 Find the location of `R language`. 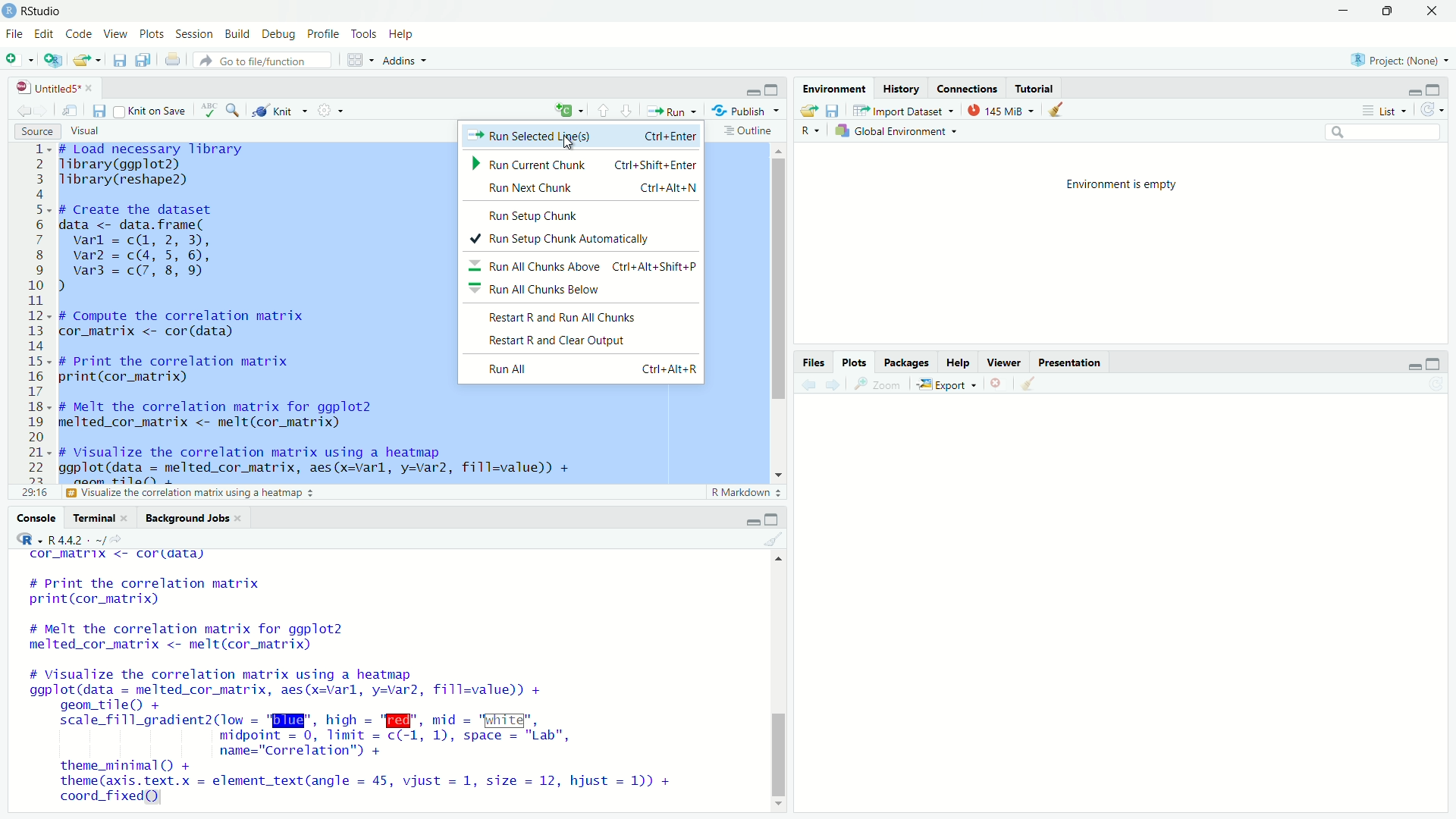

R language is located at coordinates (26, 538).